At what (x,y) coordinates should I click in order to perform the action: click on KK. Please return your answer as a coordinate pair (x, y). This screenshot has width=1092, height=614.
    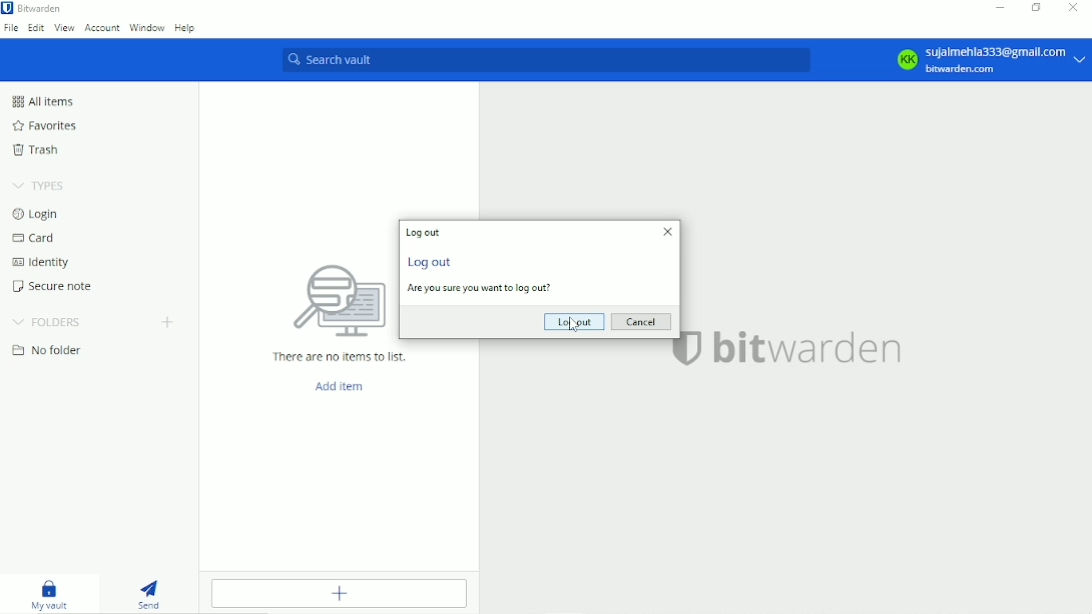
    Looking at the image, I should click on (906, 59).